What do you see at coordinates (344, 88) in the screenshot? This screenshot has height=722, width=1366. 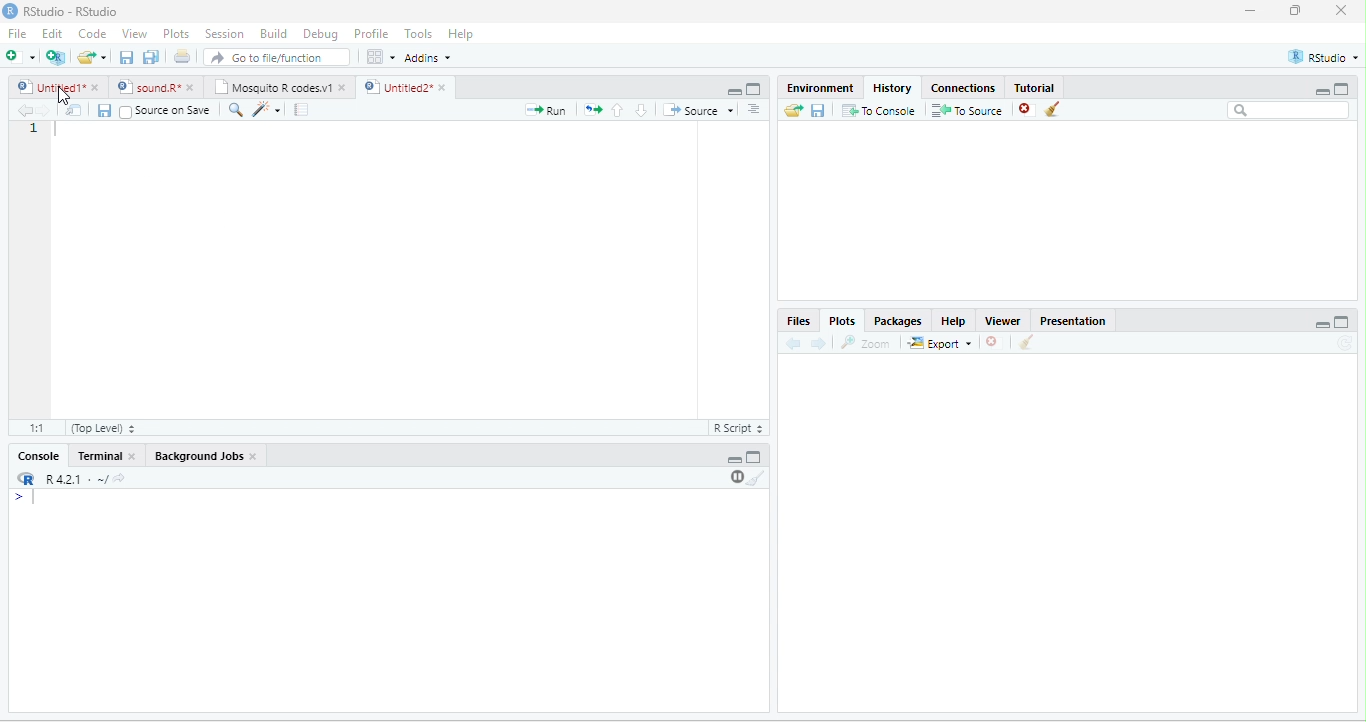 I see `close` at bounding box center [344, 88].